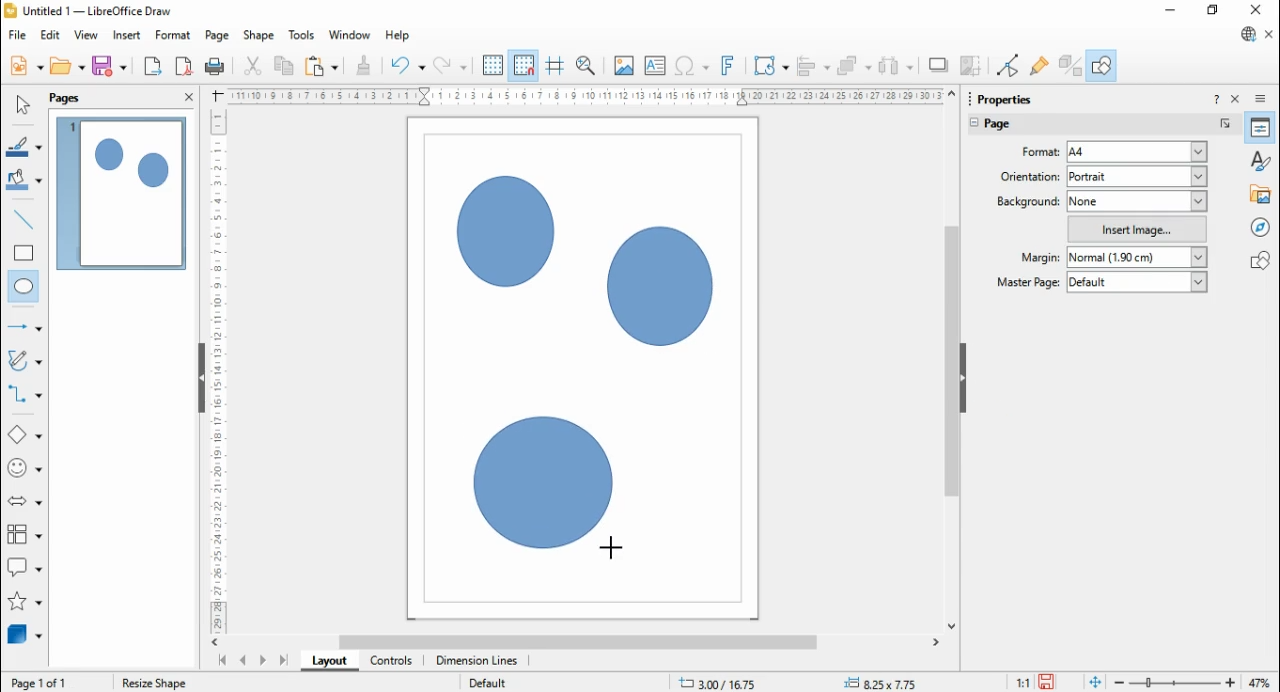  Describe the element at coordinates (1259, 11) in the screenshot. I see `close windo` at that location.